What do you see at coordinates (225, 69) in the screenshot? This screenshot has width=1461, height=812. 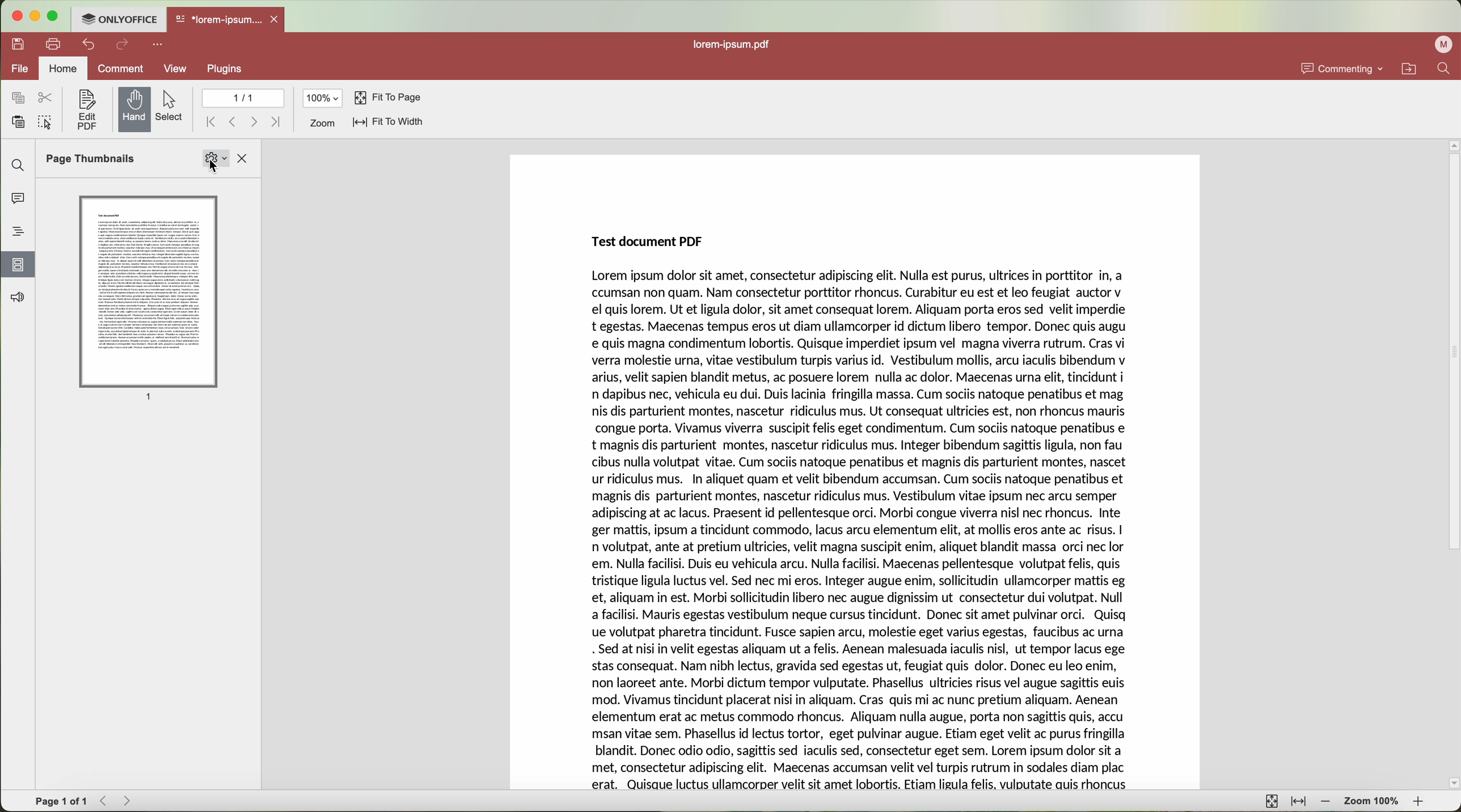 I see `plugins` at bounding box center [225, 69].